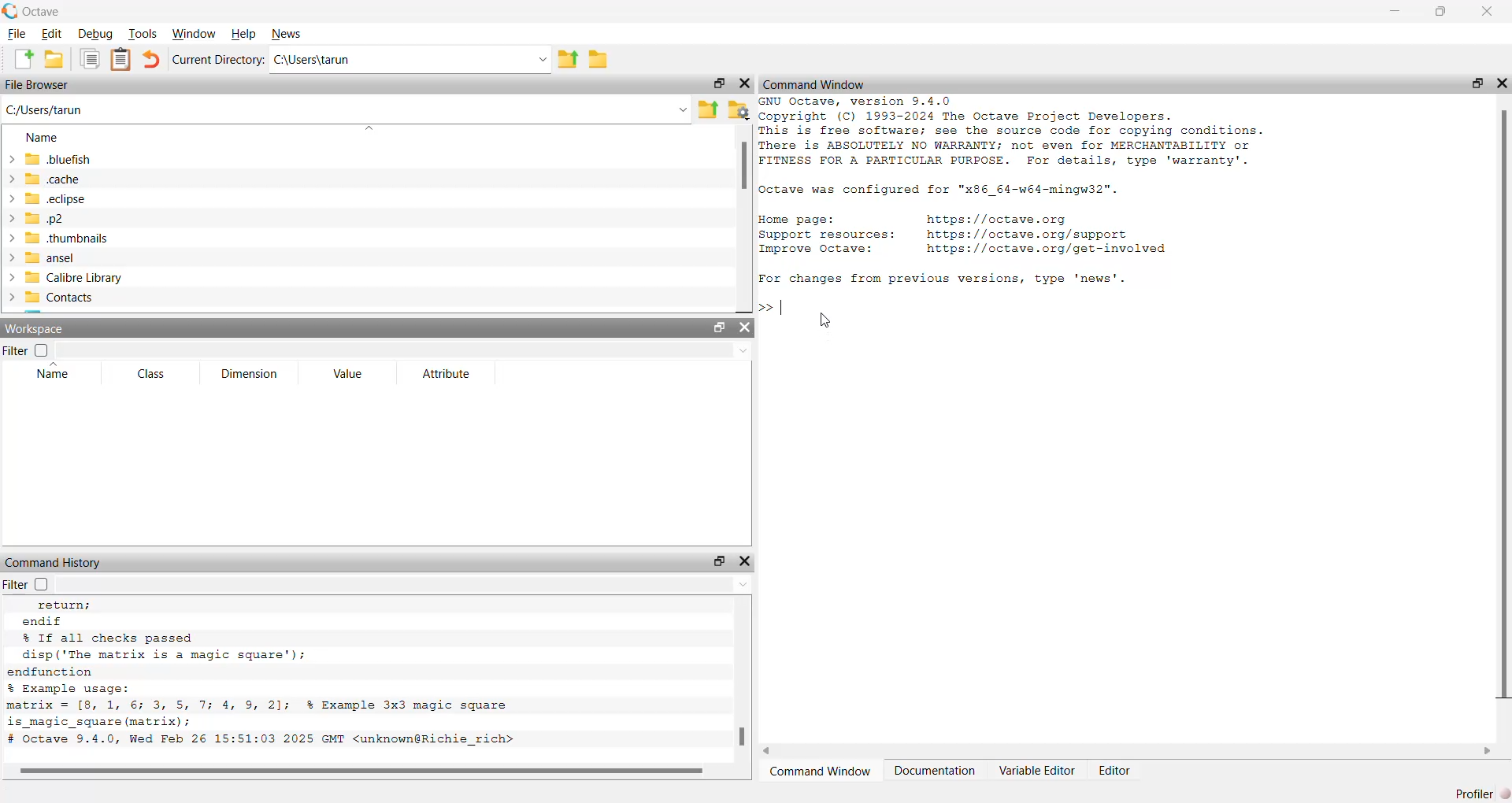  Describe the element at coordinates (270, 675) in the screenshot. I see `return;

endif

% If all checks passed

disp ('The matrix is a magic square’);
endfunction
% Example usage:
matrix = [8, 1, 6; 3, 5, 7; 4, 9, 2]; % Example 3x3 magic square
is_magic_square (matrix);
# Octave 9.4.0, Wed Feb 26 15:51:03 2025 GMT <unknown@Richie_rich>` at that location.